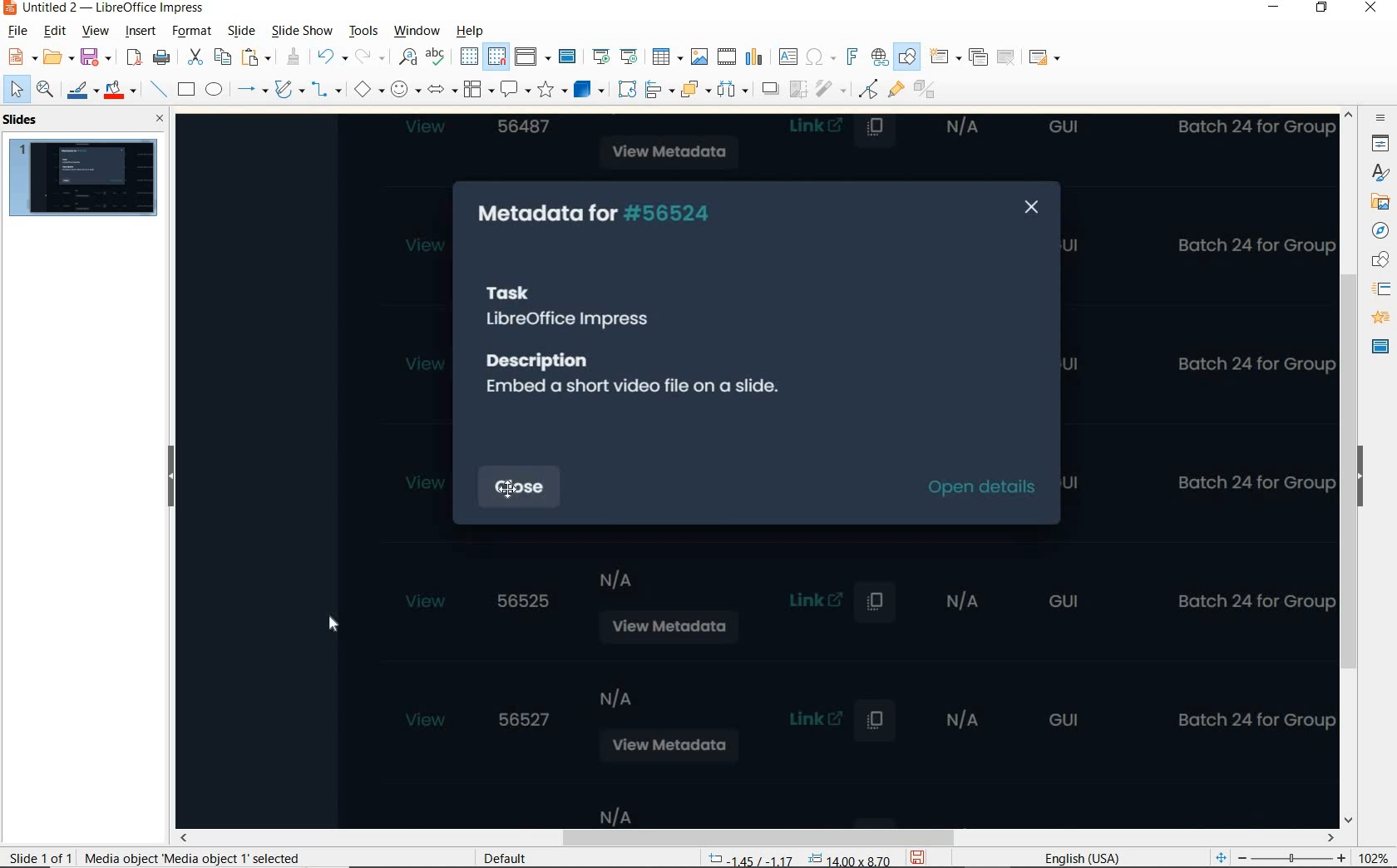 This screenshot has width=1397, height=868. Describe the element at coordinates (194, 57) in the screenshot. I see `CUT` at that location.